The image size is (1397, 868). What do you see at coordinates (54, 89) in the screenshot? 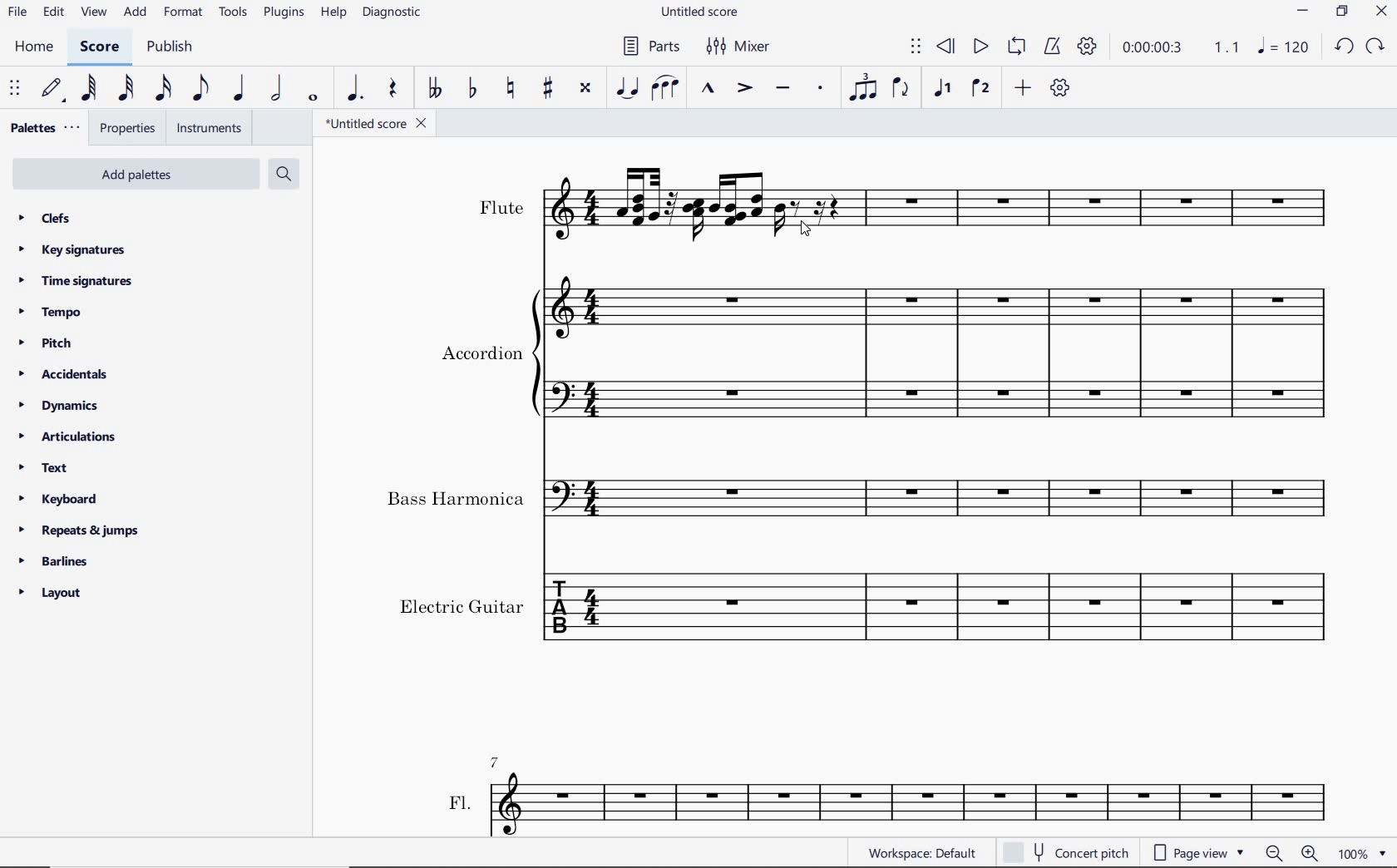
I see `default (step time)` at bounding box center [54, 89].